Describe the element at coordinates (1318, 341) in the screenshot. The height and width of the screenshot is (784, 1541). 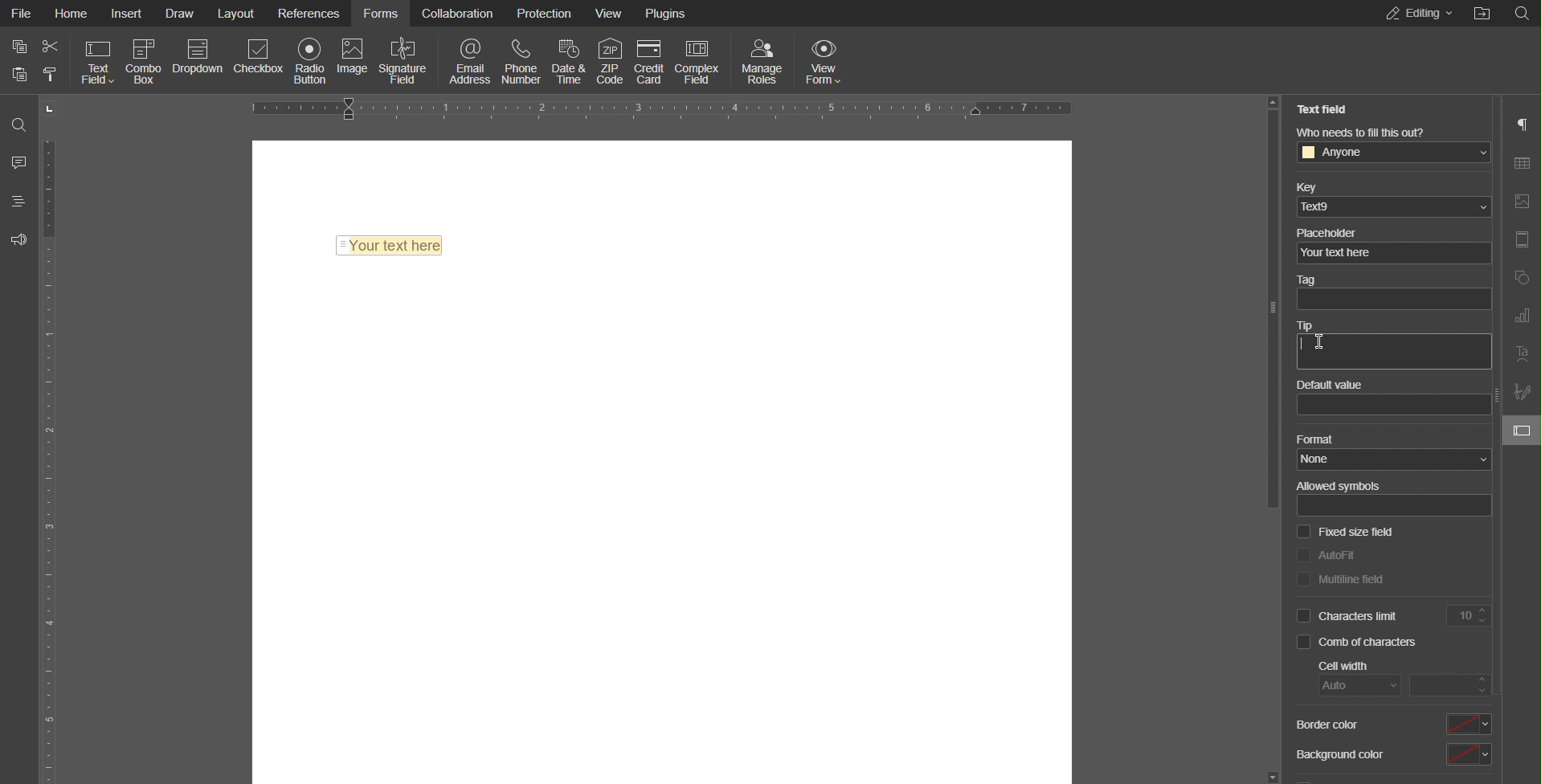
I see `Cursor` at that location.